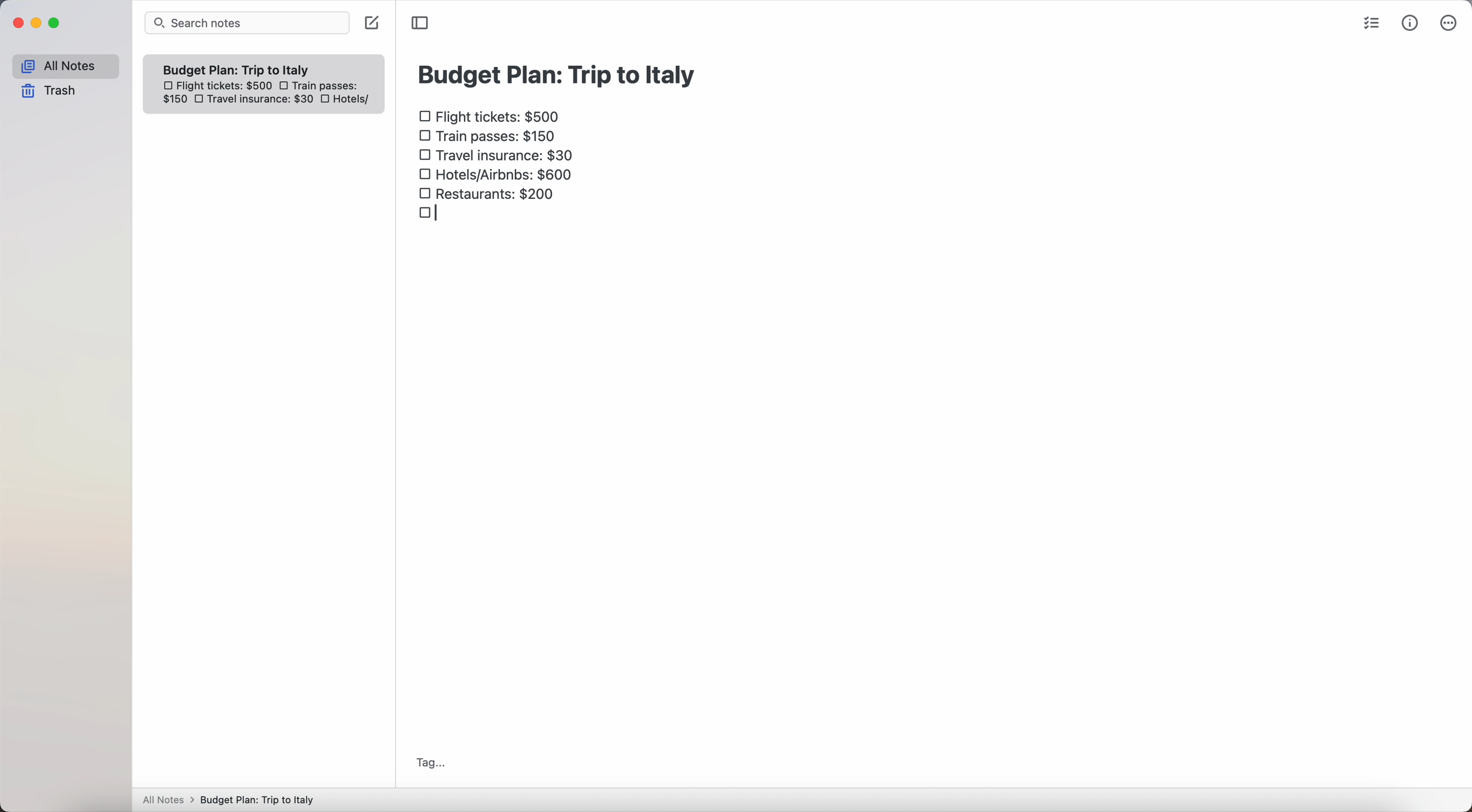  I want to click on toggle sidebar, so click(421, 22).